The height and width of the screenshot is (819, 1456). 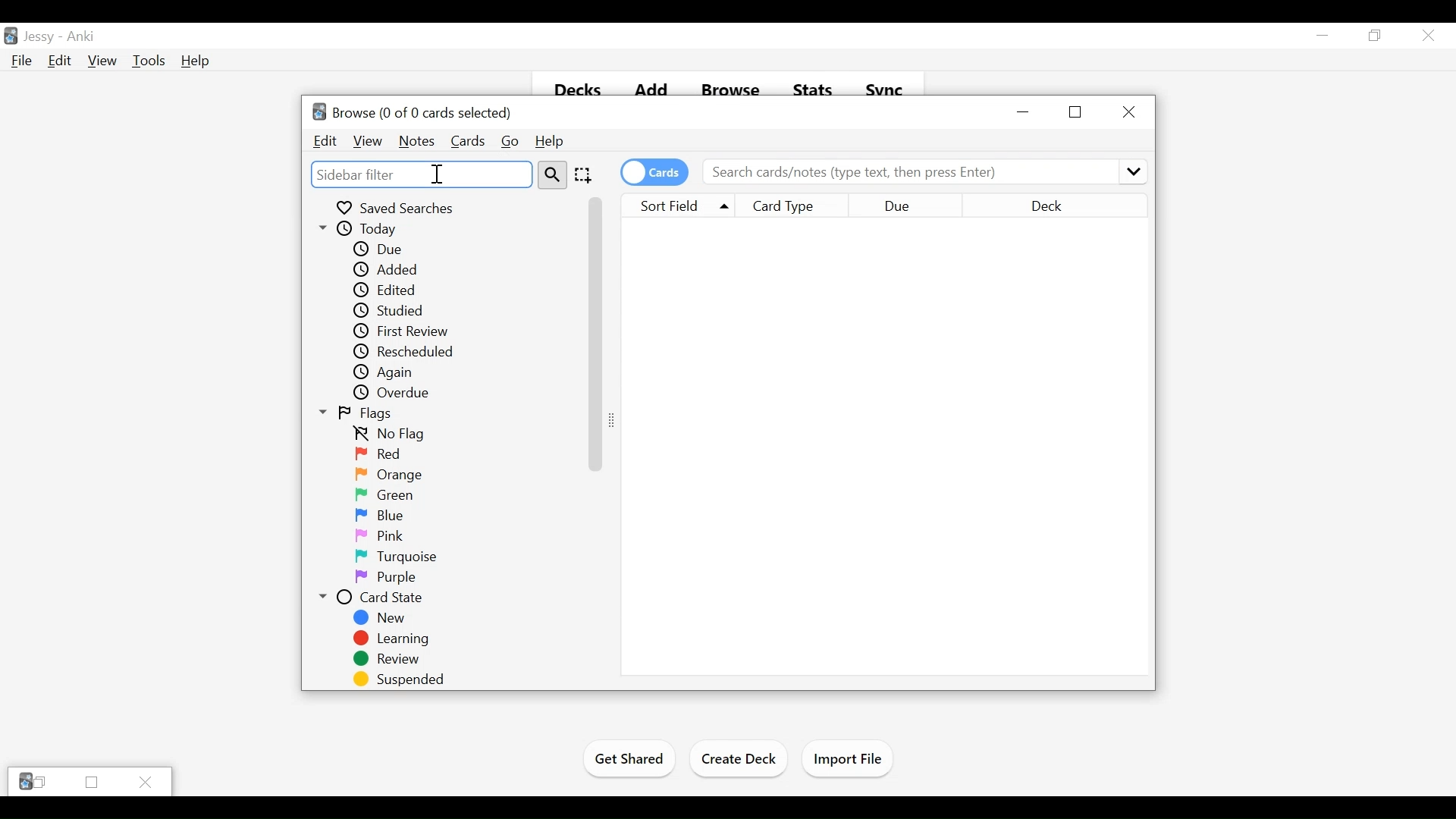 I want to click on Create Deck, so click(x=740, y=758).